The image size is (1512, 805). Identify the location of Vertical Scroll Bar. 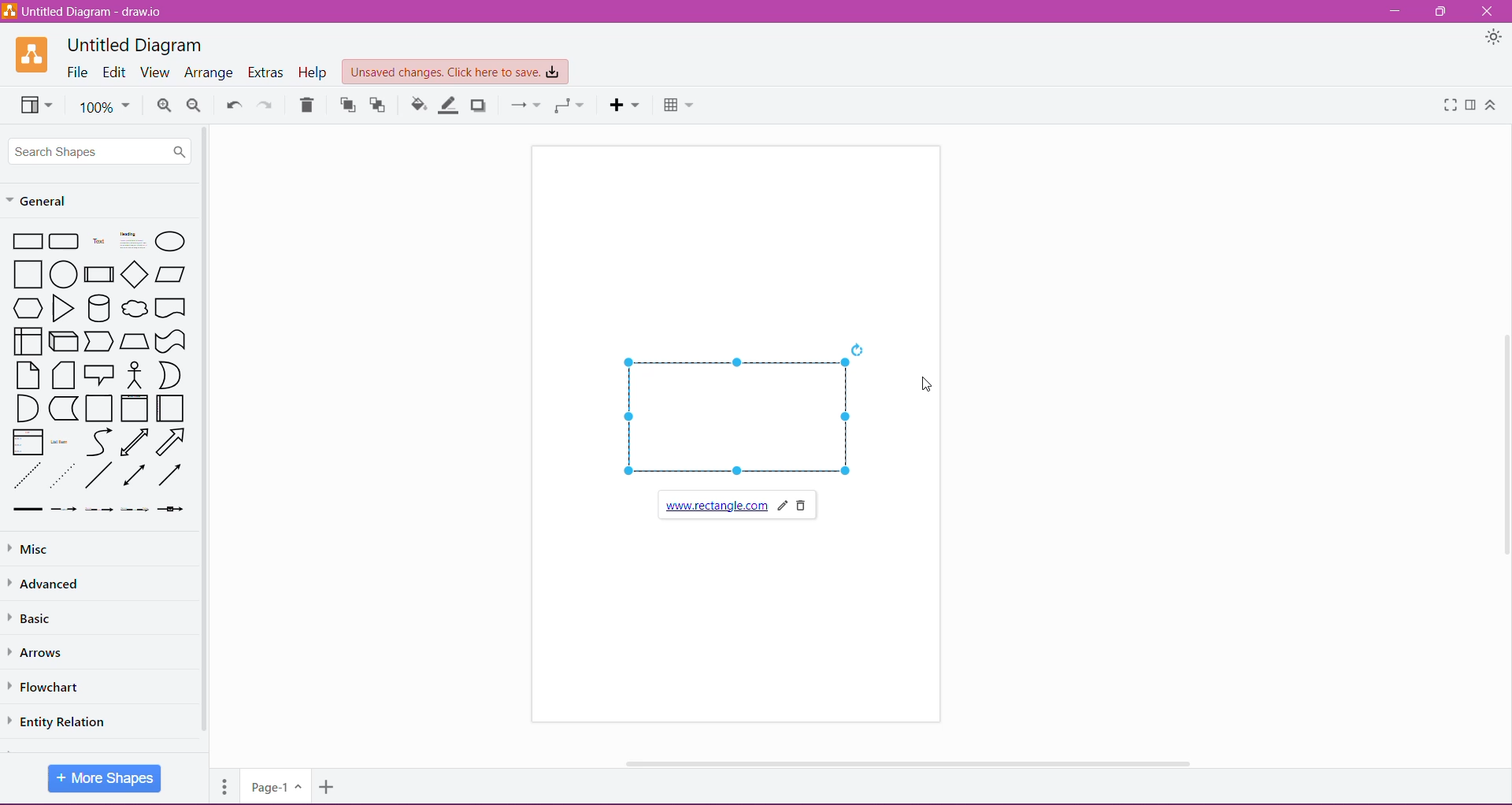
(206, 438).